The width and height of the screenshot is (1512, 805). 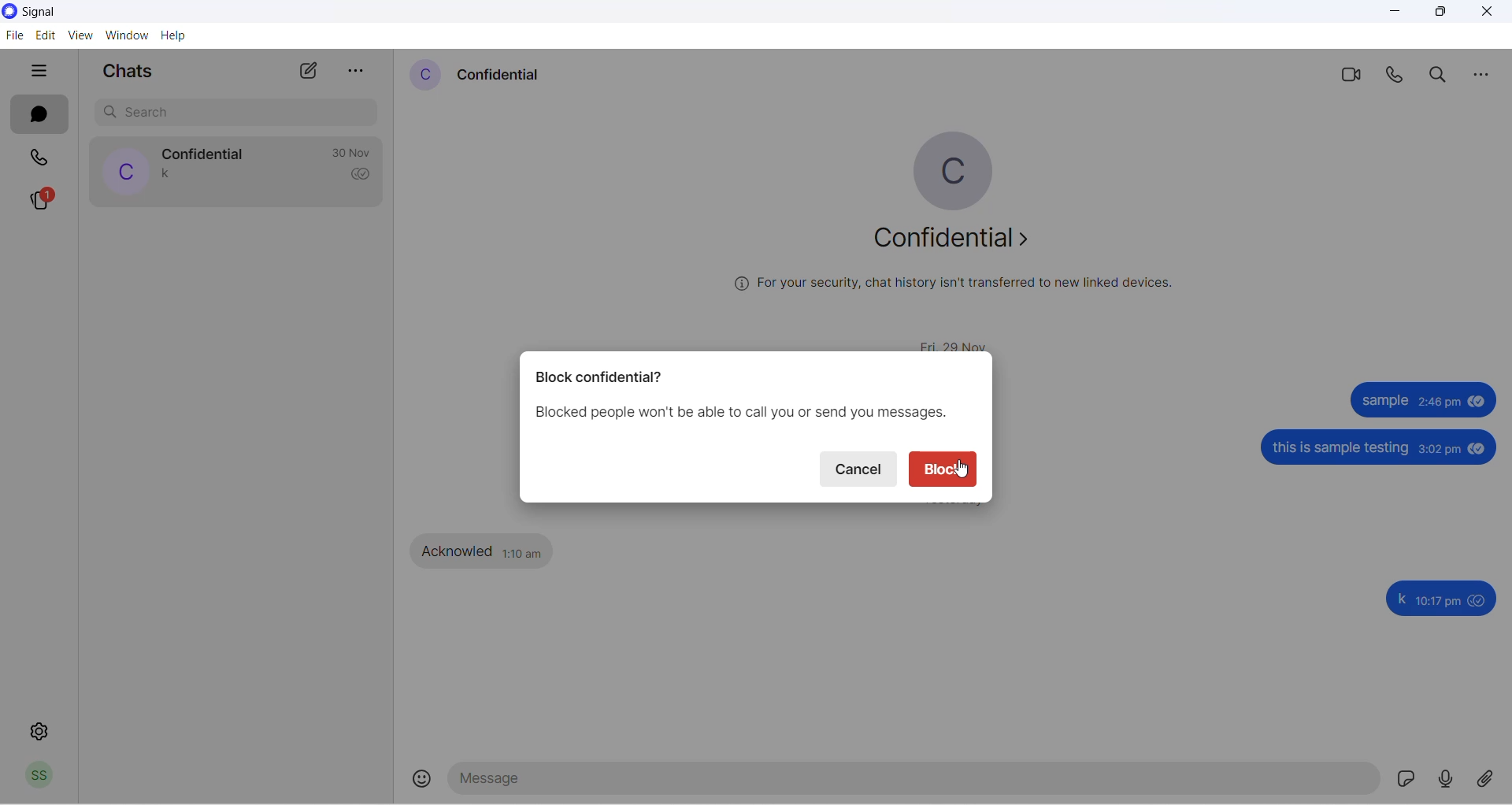 What do you see at coordinates (1491, 781) in the screenshot?
I see `share attachment` at bounding box center [1491, 781].